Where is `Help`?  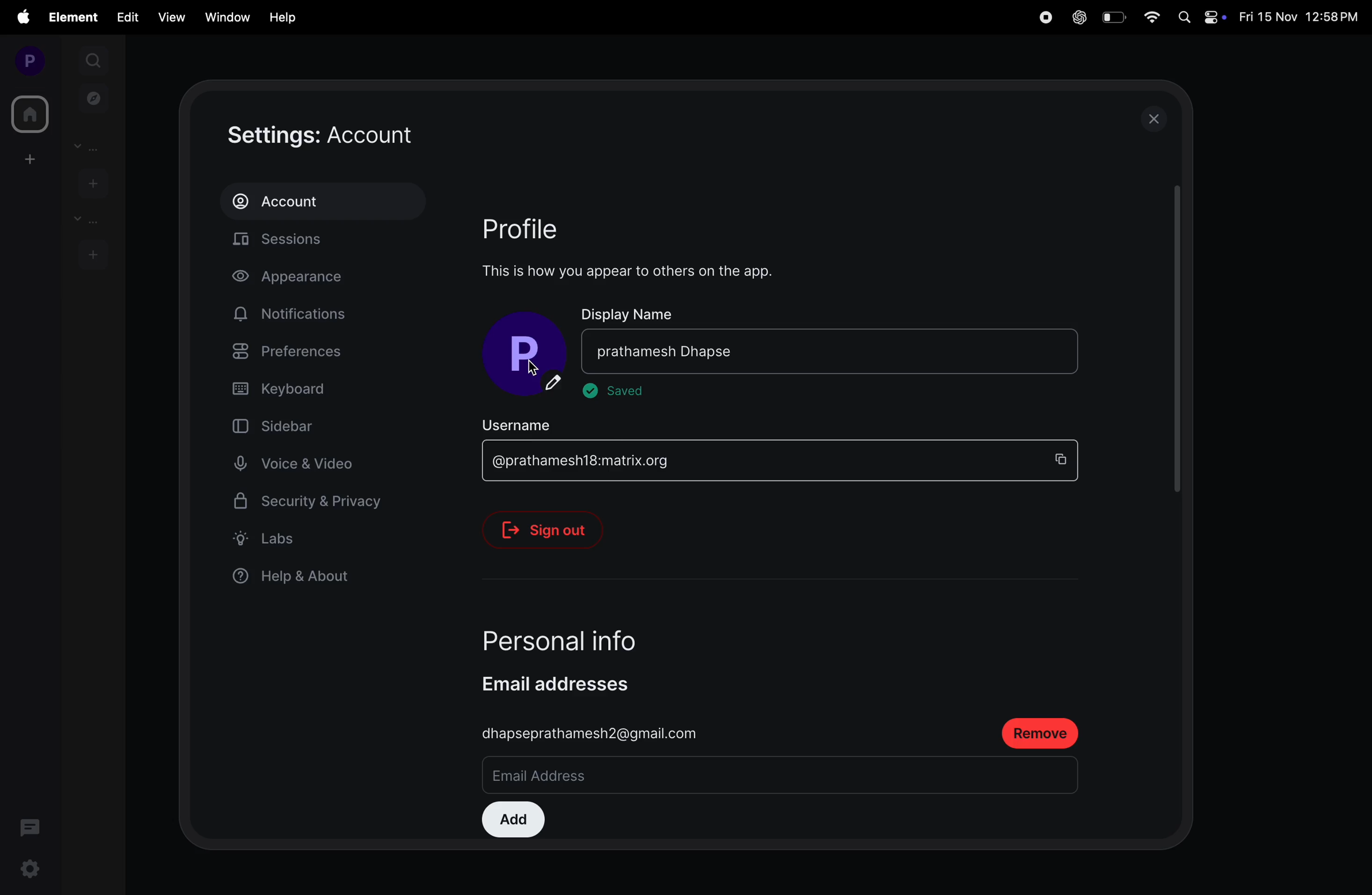 Help is located at coordinates (284, 17).